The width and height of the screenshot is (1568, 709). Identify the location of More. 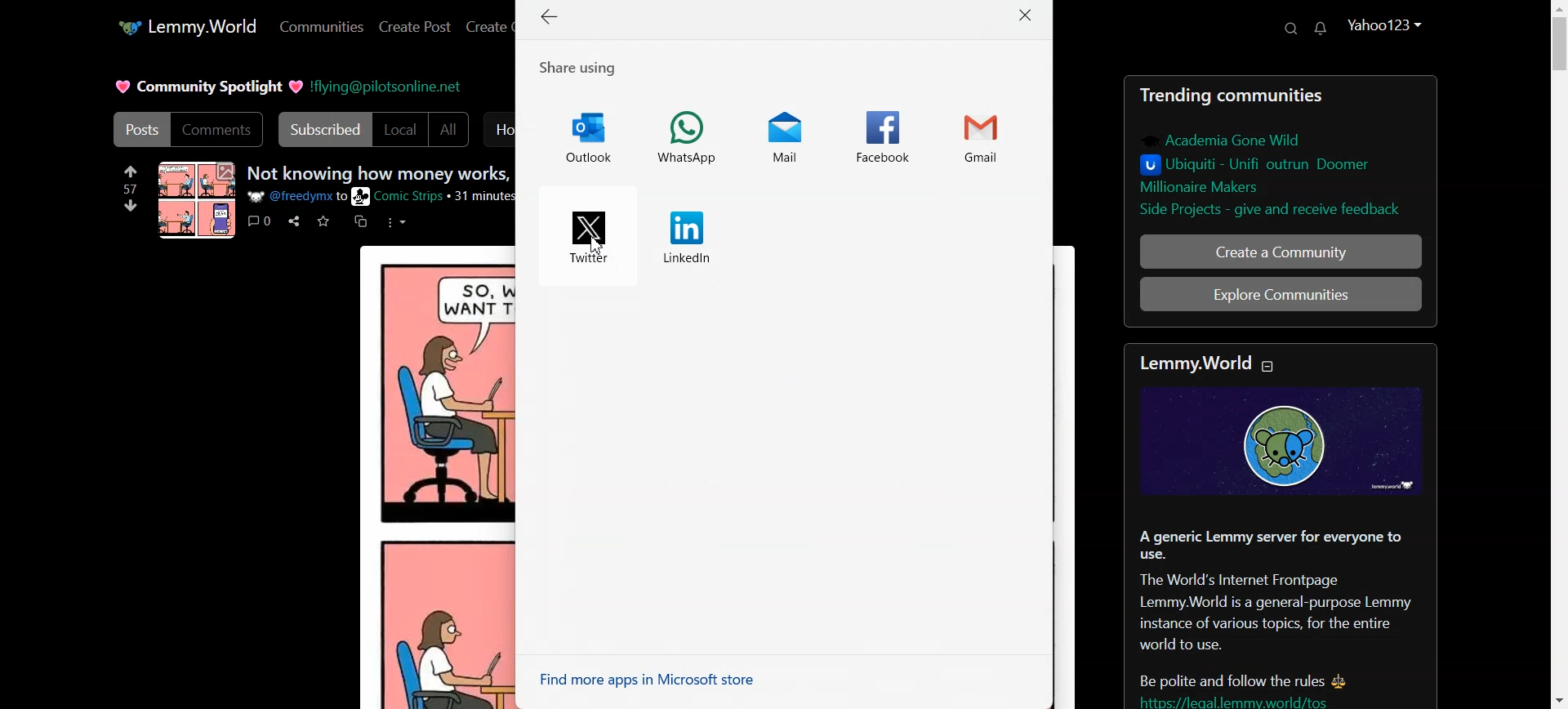
(395, 221).